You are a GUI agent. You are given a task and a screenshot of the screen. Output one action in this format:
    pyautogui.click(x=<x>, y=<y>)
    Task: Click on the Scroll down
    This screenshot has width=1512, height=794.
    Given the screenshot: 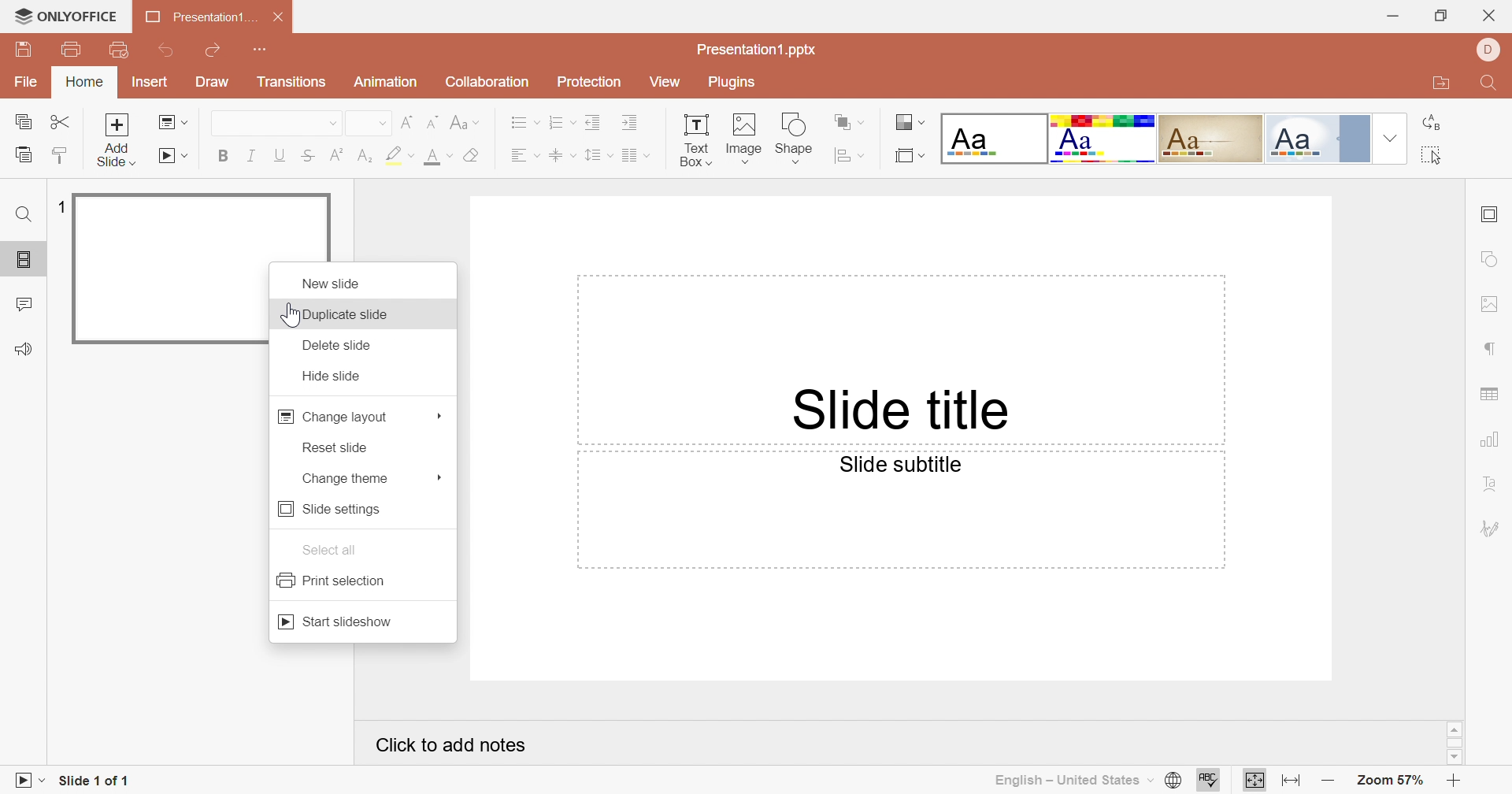 What is the action you would take?
    pyautogui.click(x=1454, y=756)
    